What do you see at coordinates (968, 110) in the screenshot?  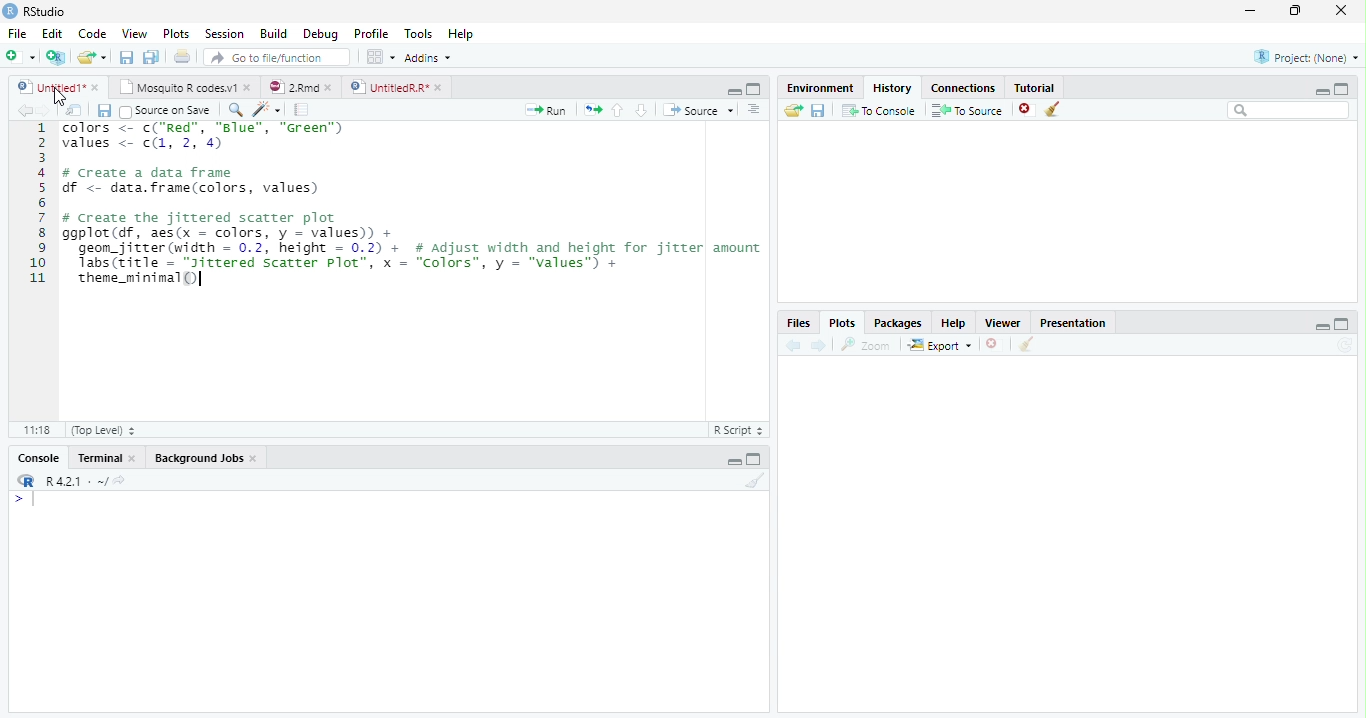 I see `To Source` at bounding box center [968, 110].